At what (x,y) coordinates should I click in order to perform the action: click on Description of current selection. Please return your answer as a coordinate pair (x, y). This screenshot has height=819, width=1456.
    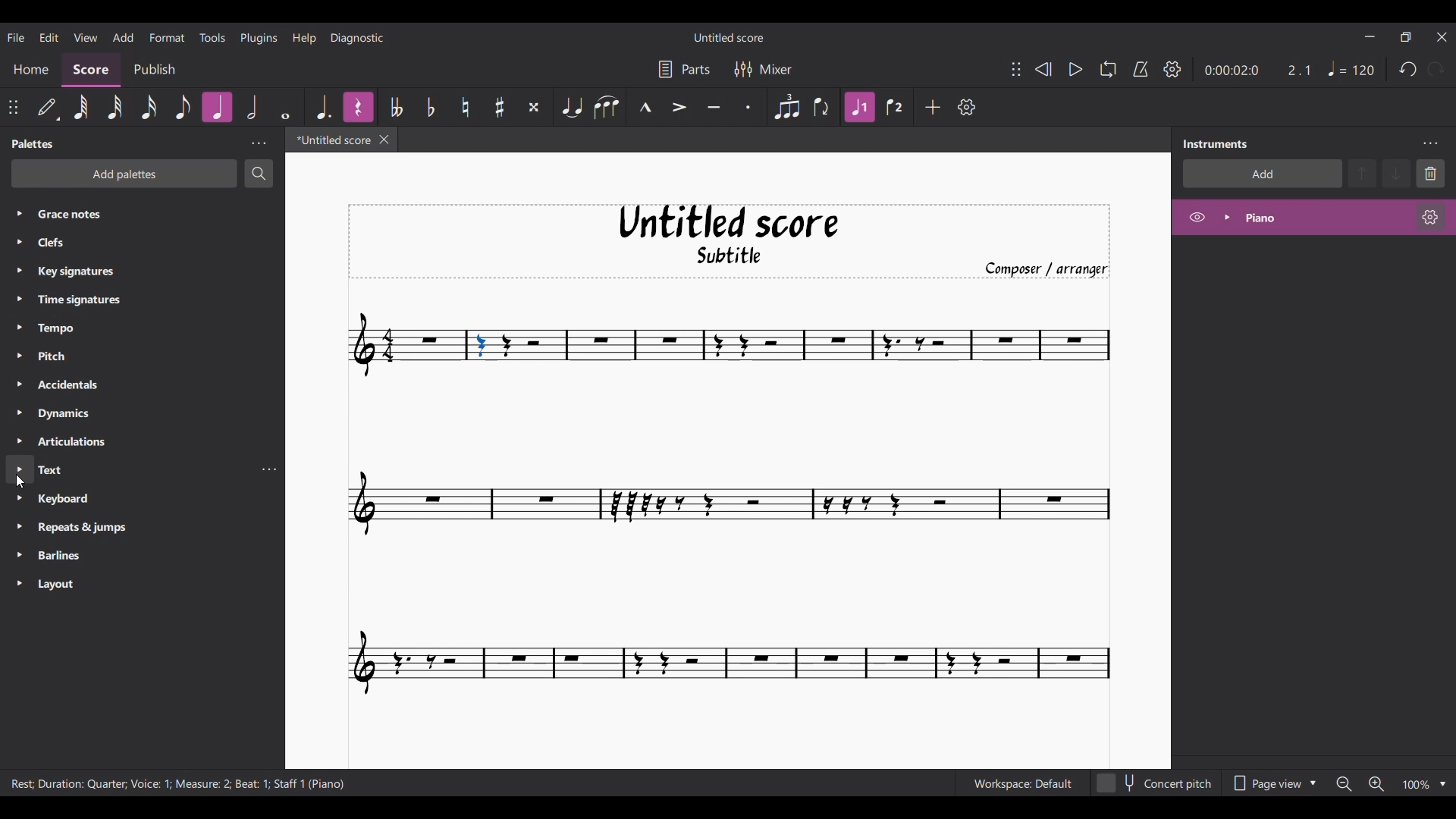
    Looking at the image, I should click on (177, 783).